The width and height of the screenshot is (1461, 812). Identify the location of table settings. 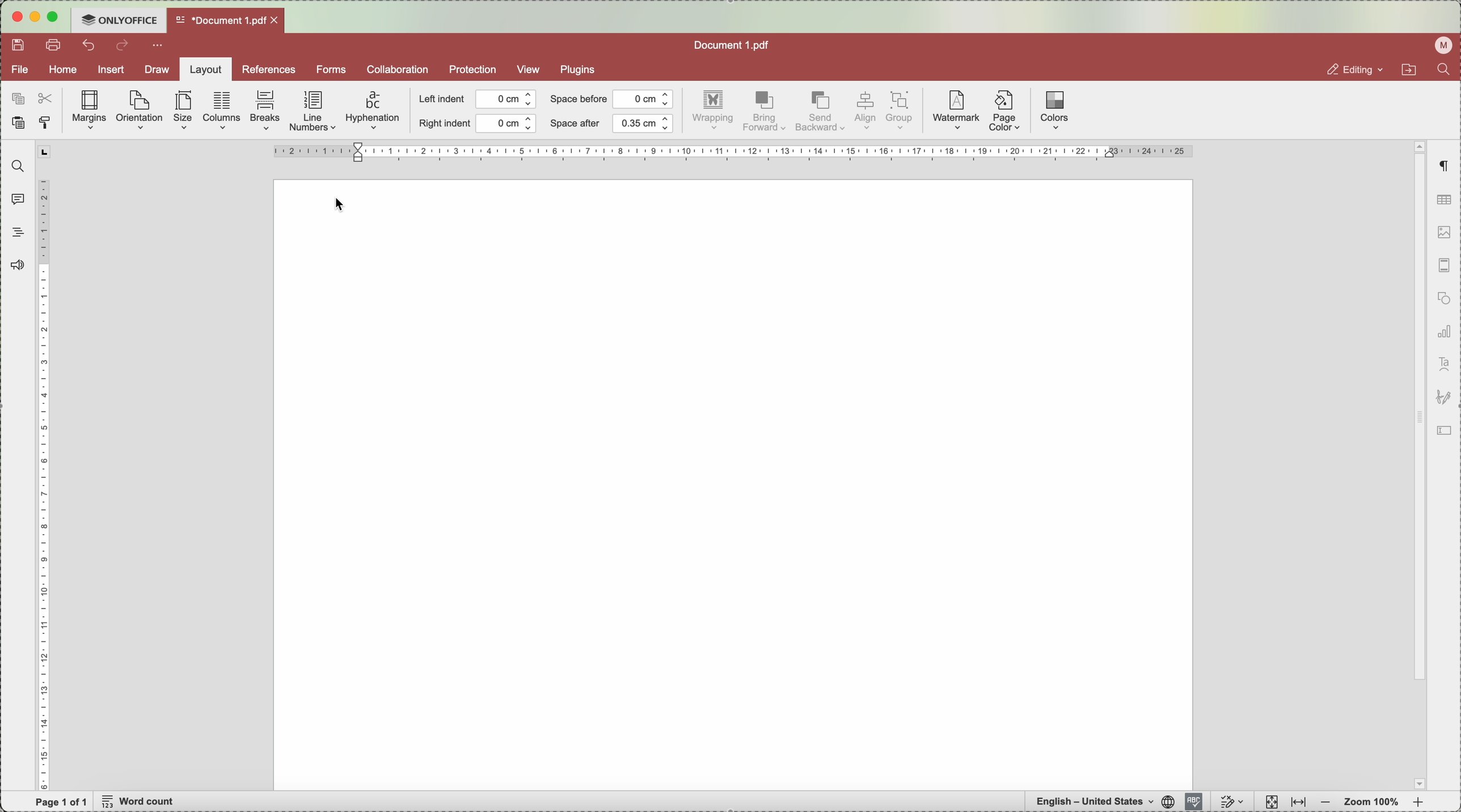
(1444, 200).